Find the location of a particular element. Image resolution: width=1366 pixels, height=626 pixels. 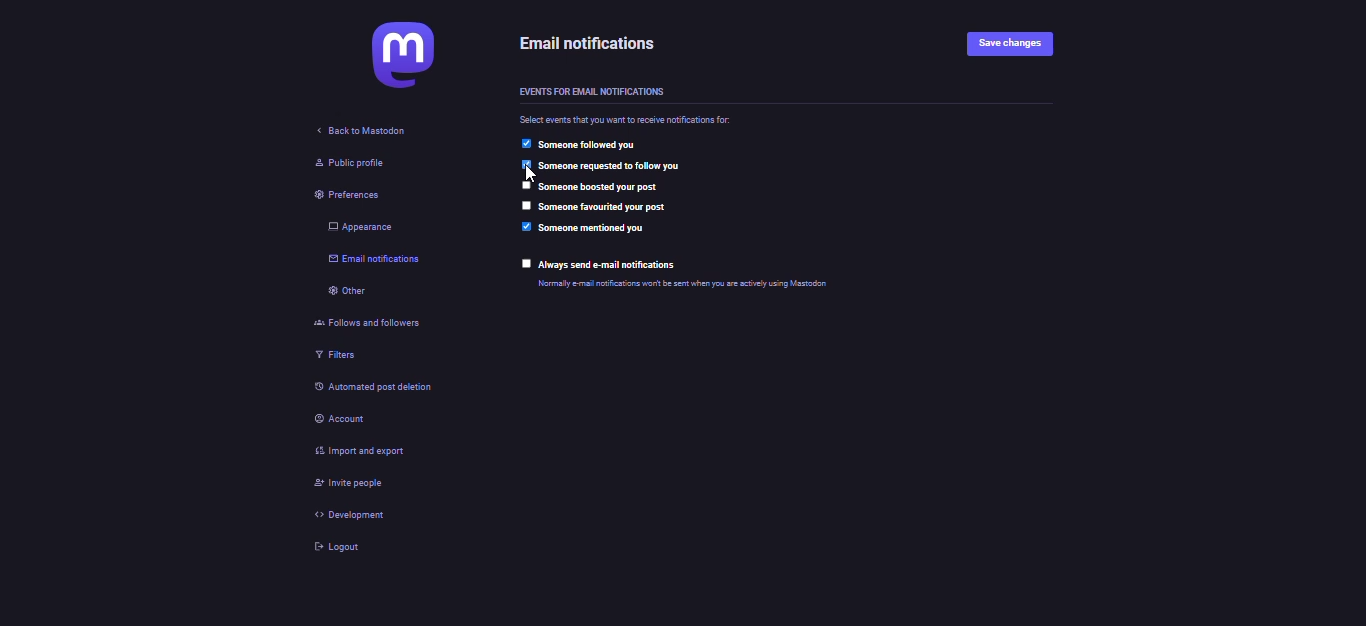

follows and followers is located at coordinates (363, 326).